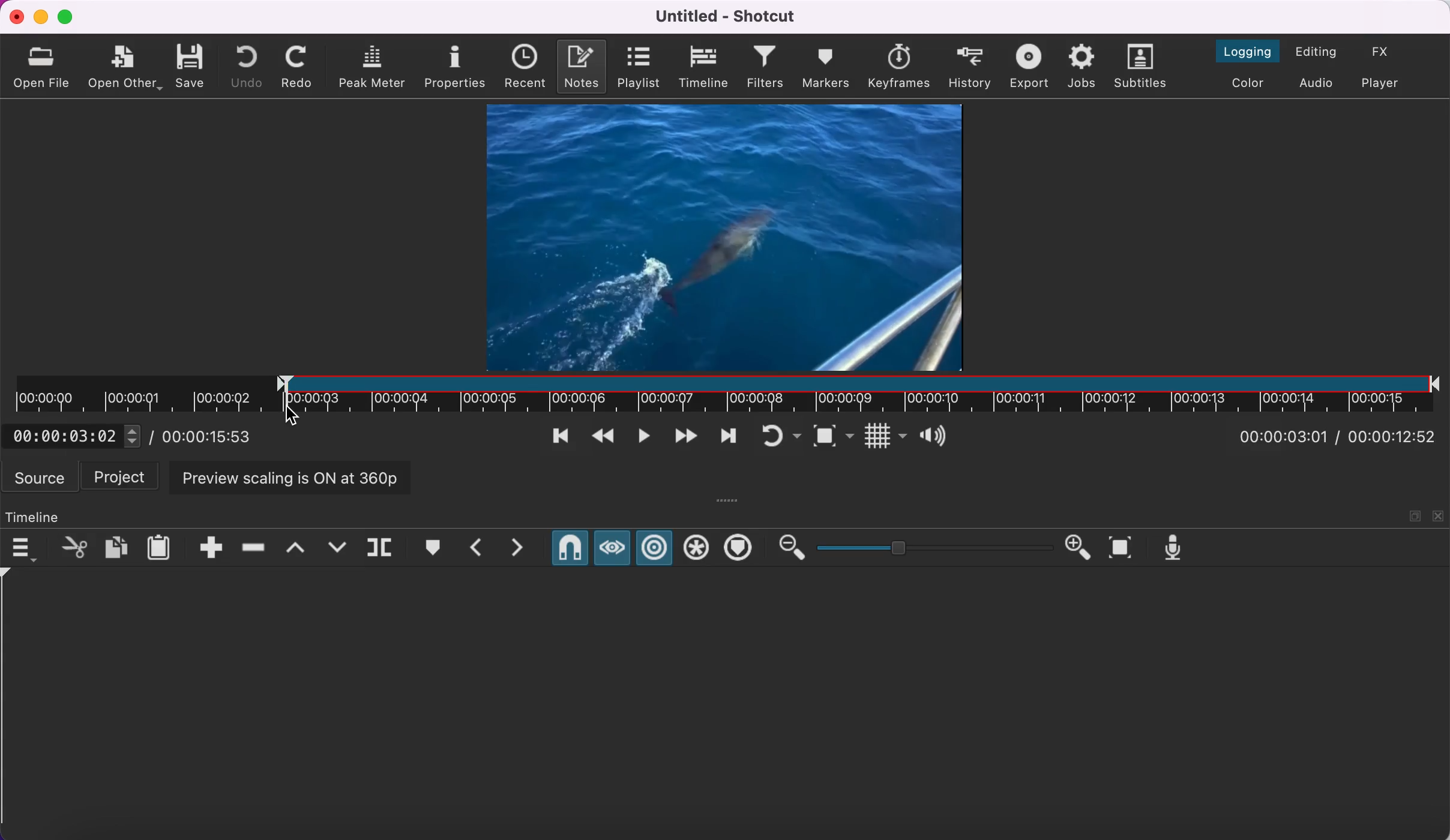 The height and width of the screenshot is (840, 1450). I want to click on , so click(885, 436).